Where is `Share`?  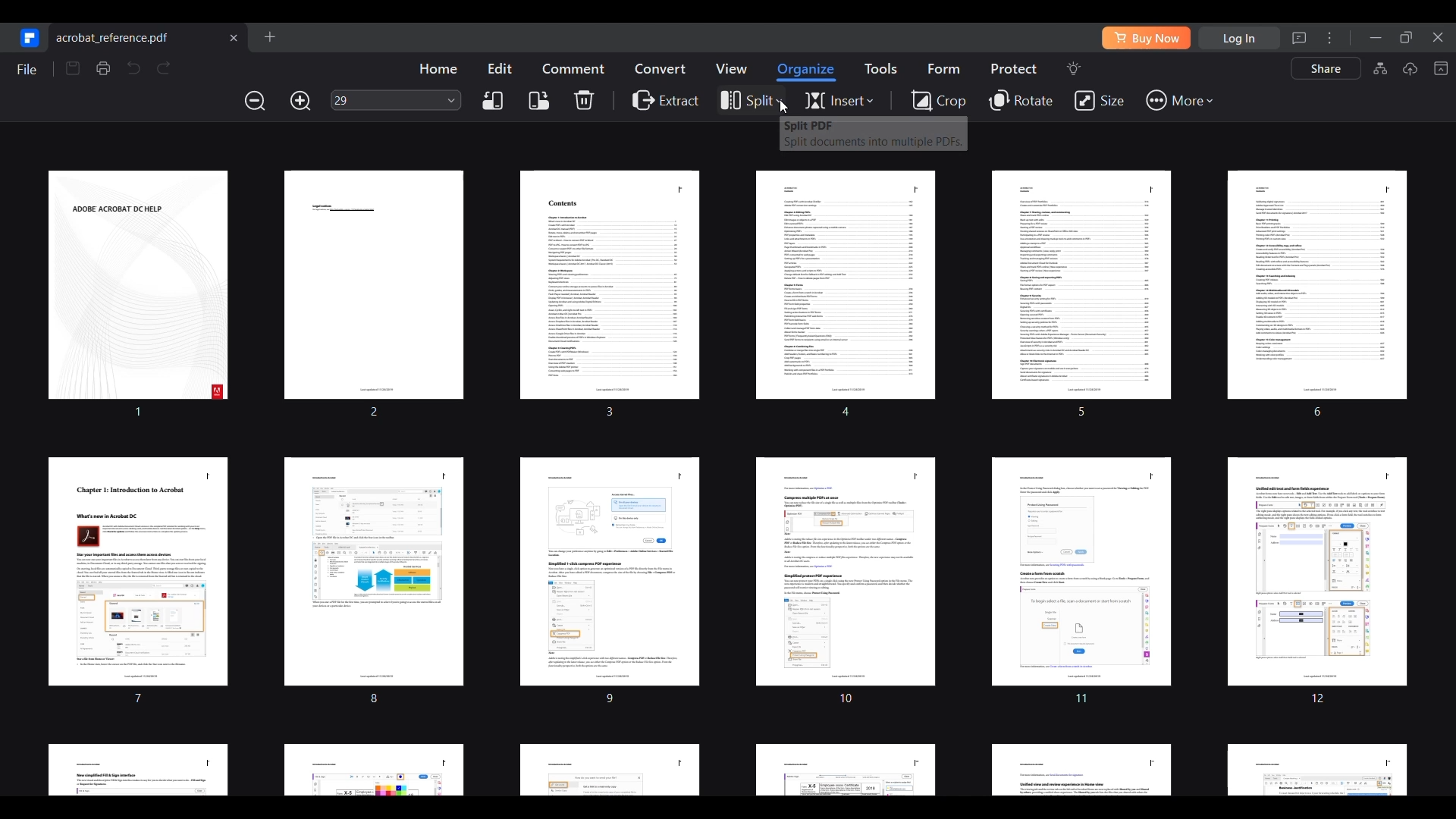 Share is located at coordinates (1326, 68).